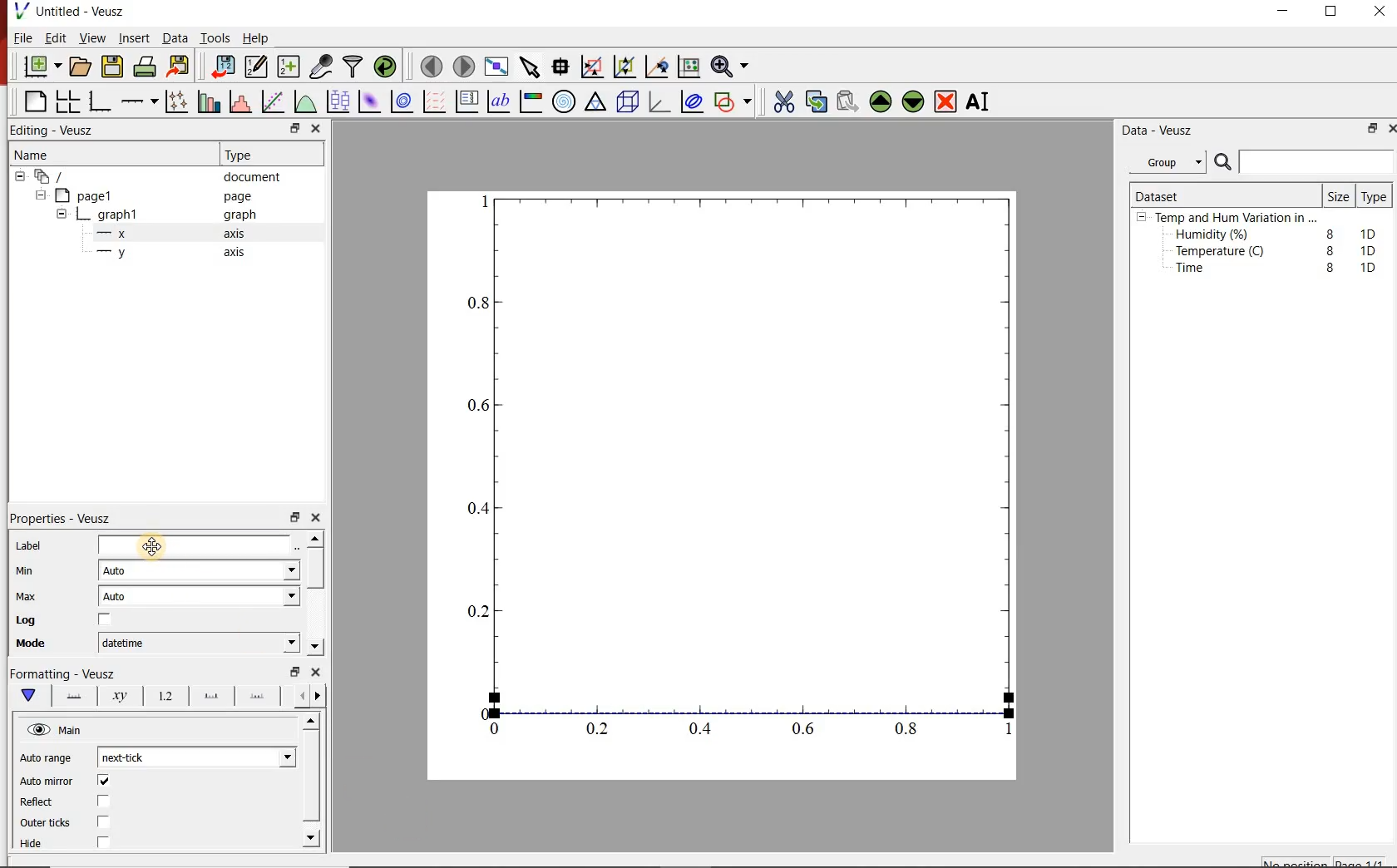 The height and width of the screenshot is (868, 1397). Describe the element at coordinates (481, 200) in the screenshot. I see `1` at that location.